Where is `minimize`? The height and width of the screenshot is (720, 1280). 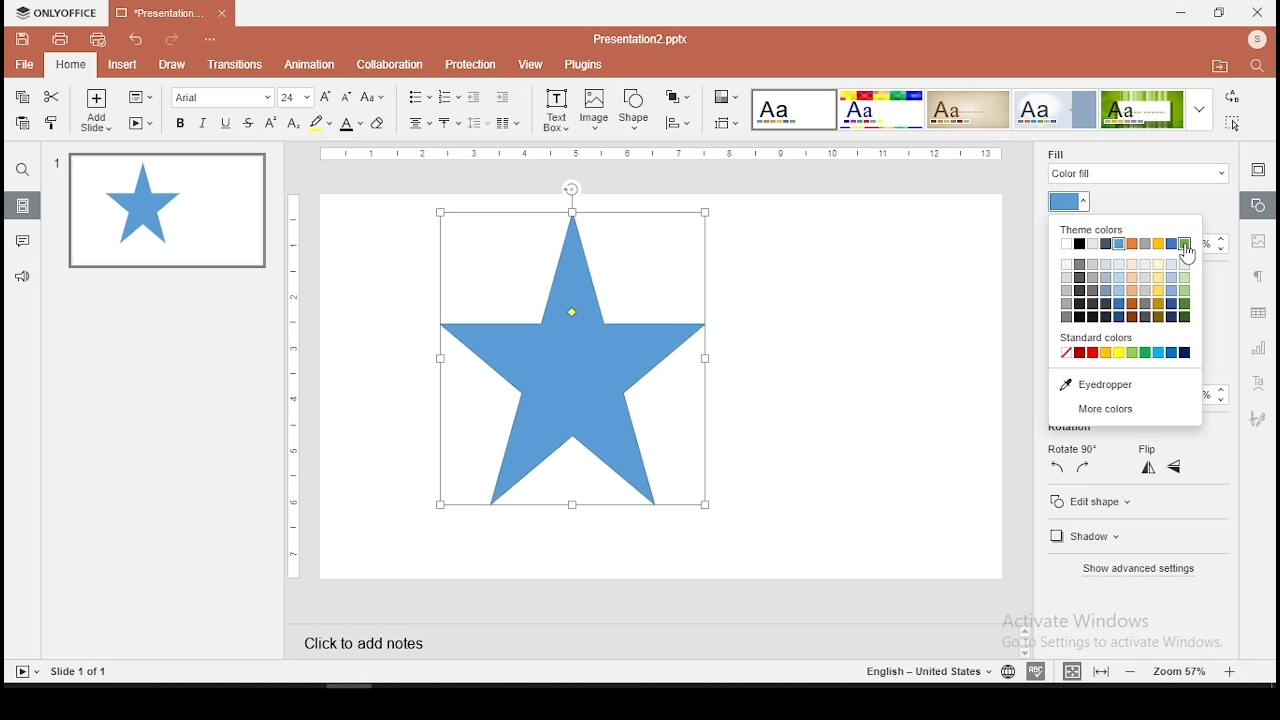 minimize is located at coordinates (1182, 14).